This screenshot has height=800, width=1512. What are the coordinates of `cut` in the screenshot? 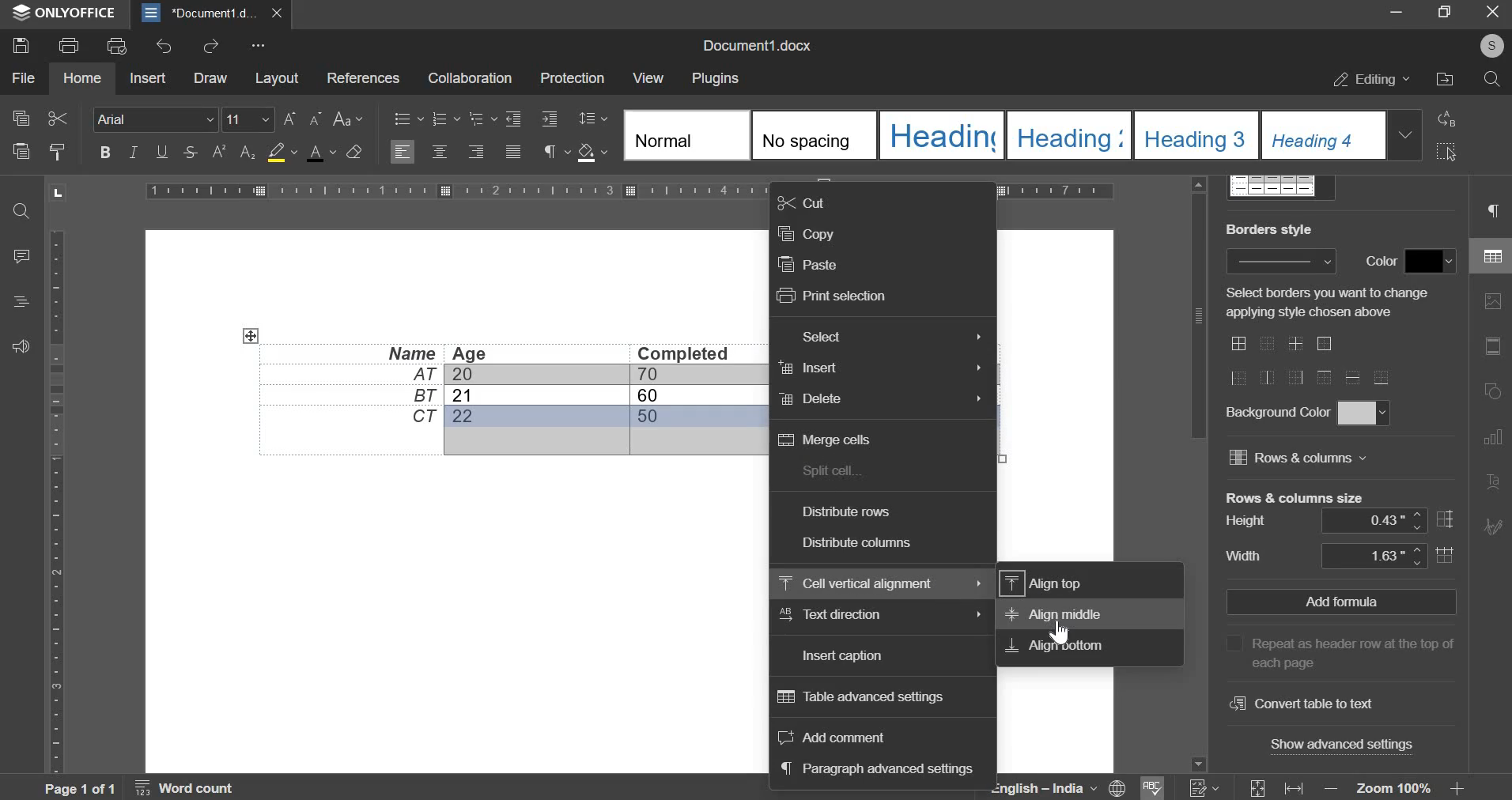 It's located at (57, 116).